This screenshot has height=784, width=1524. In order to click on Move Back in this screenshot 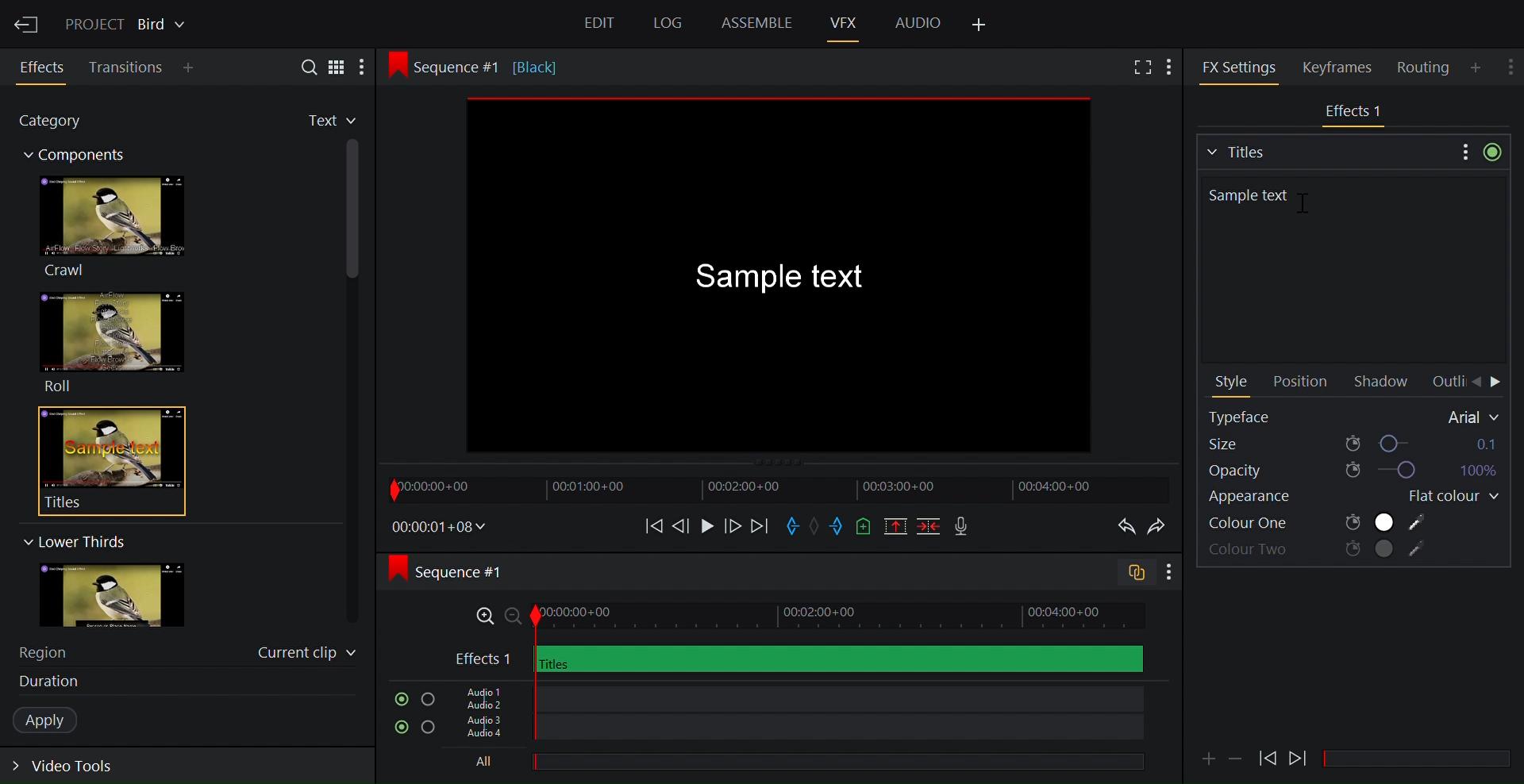, I will do `click(1476, 382)`.